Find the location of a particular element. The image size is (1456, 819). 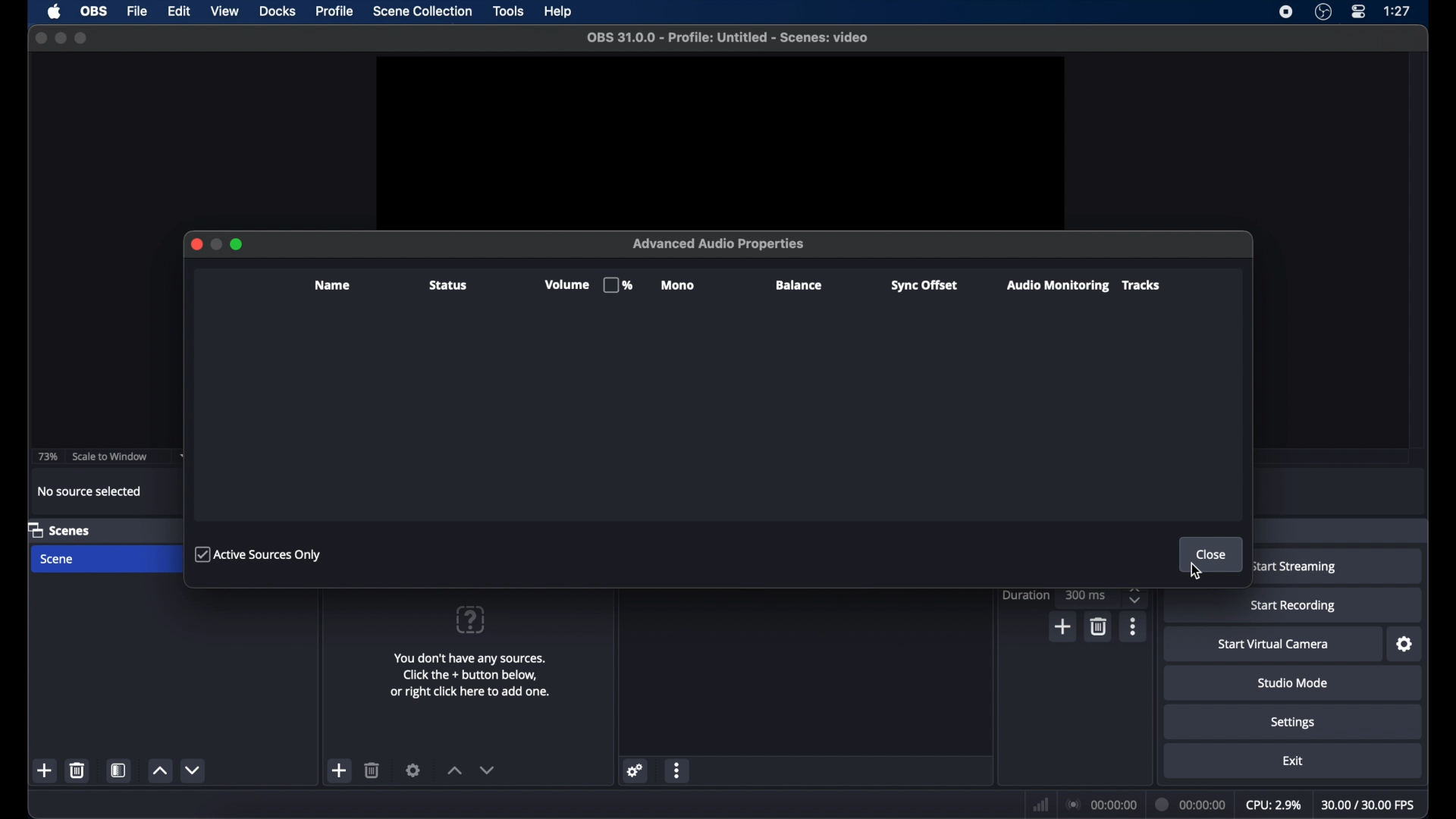

scene is located at coordinates (59, 529).